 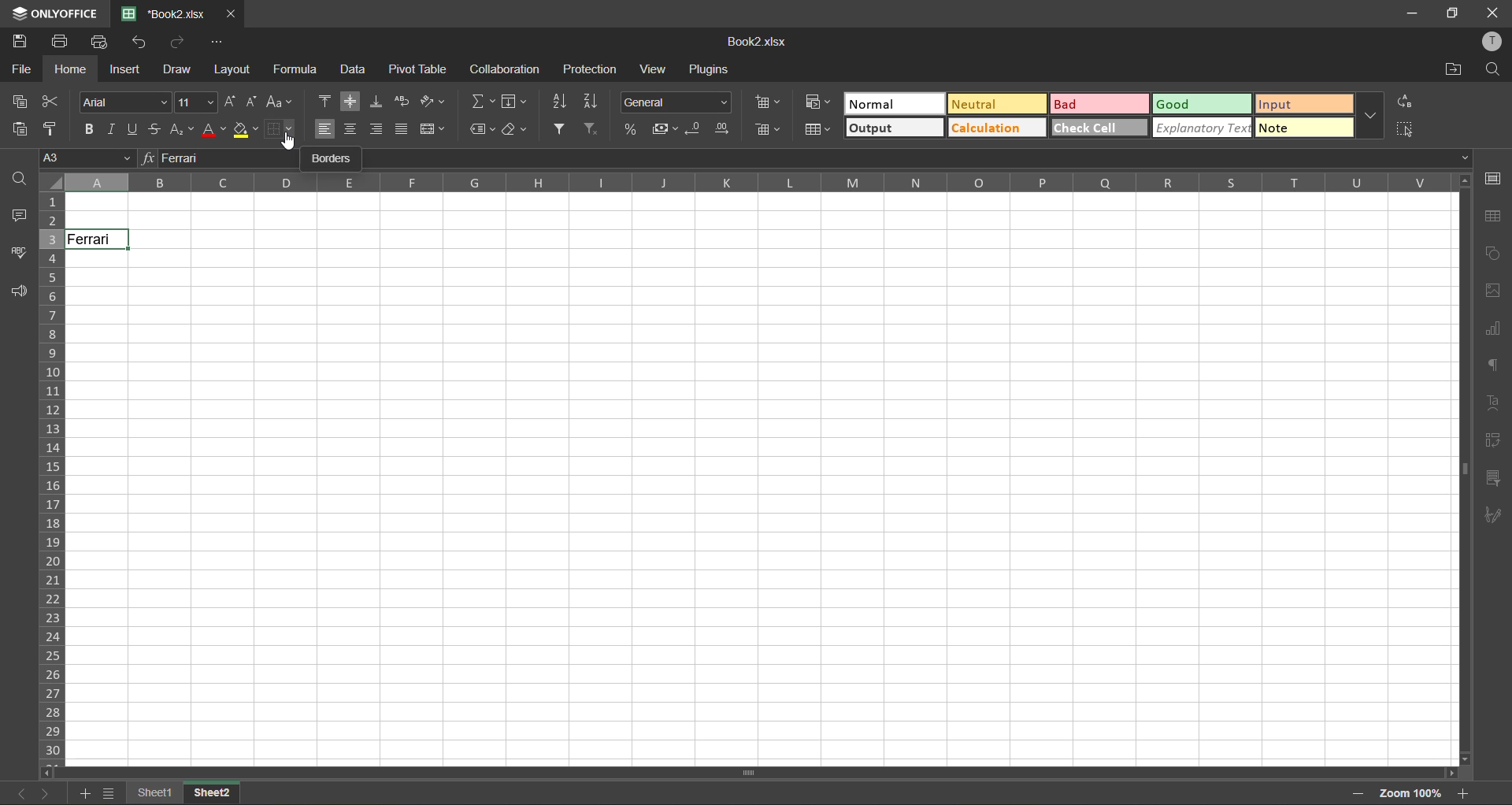 What do you see at coordinates (176, 70) in the screenshot?
I see `draw` at bounding box center [176, 70].